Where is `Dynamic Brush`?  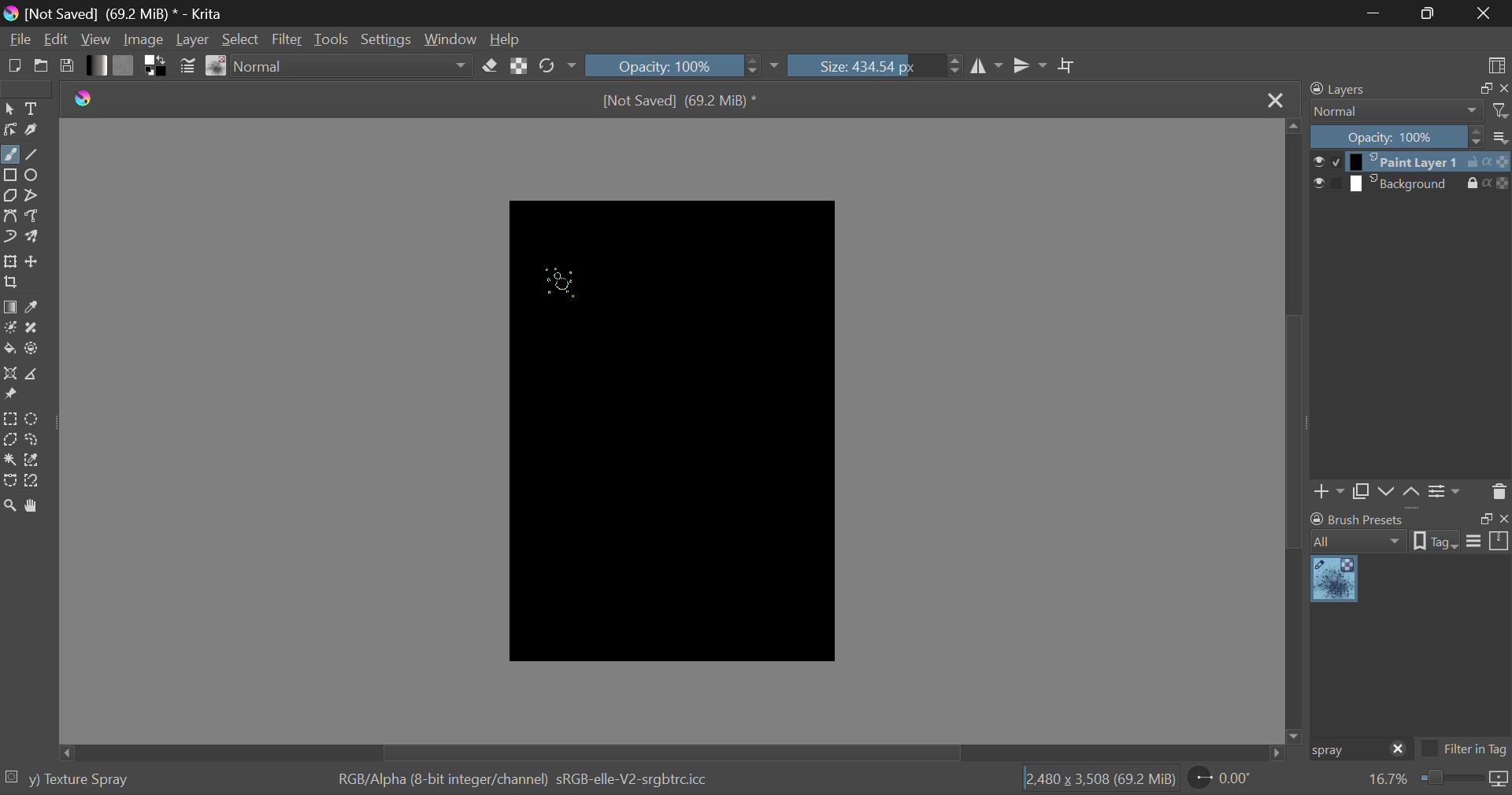 Dynamic Brush is located at coordinates (9, 235).